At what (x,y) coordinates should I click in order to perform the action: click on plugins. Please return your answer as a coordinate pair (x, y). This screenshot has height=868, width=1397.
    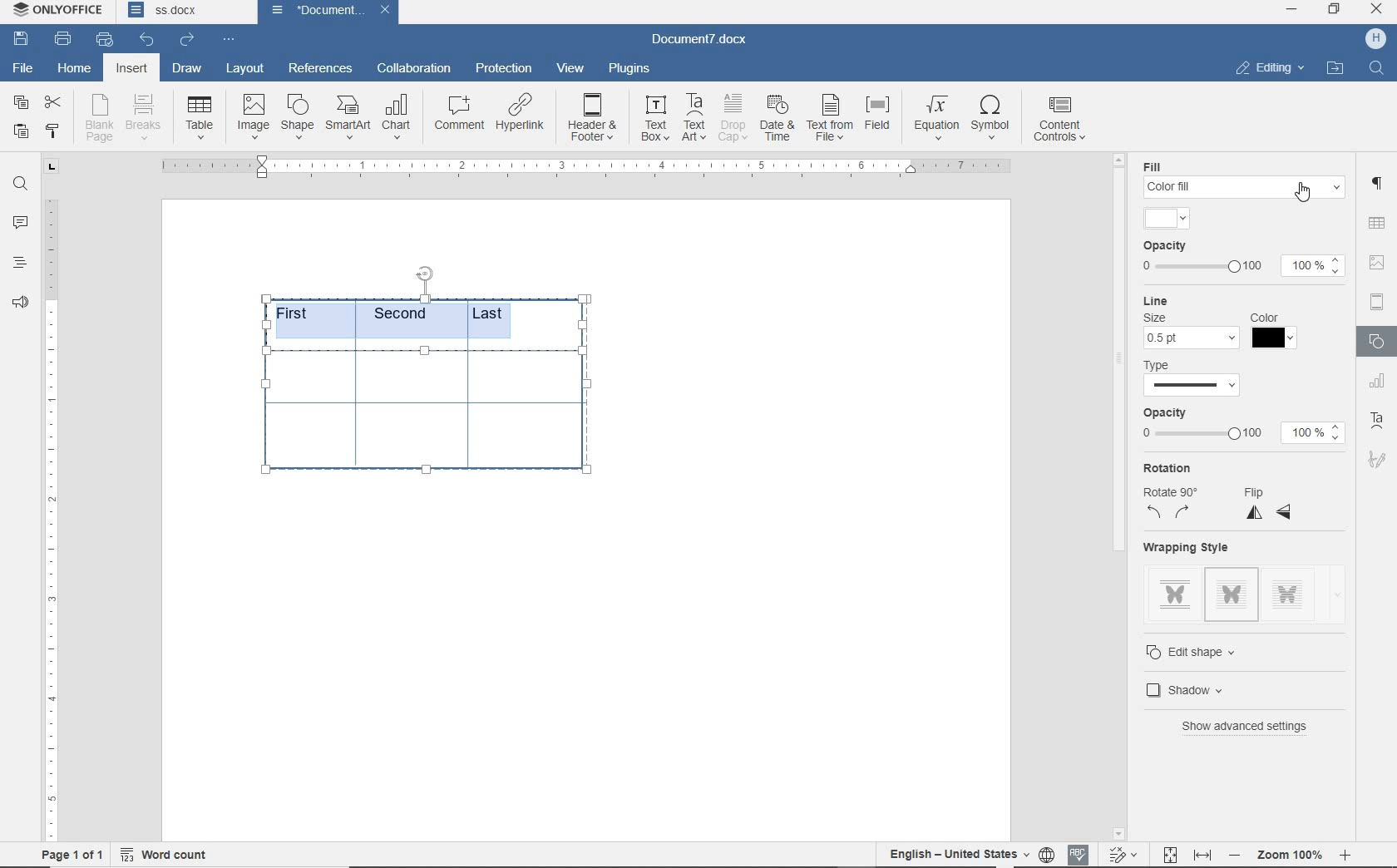
    Looking at the image, I should click on (629, 67).